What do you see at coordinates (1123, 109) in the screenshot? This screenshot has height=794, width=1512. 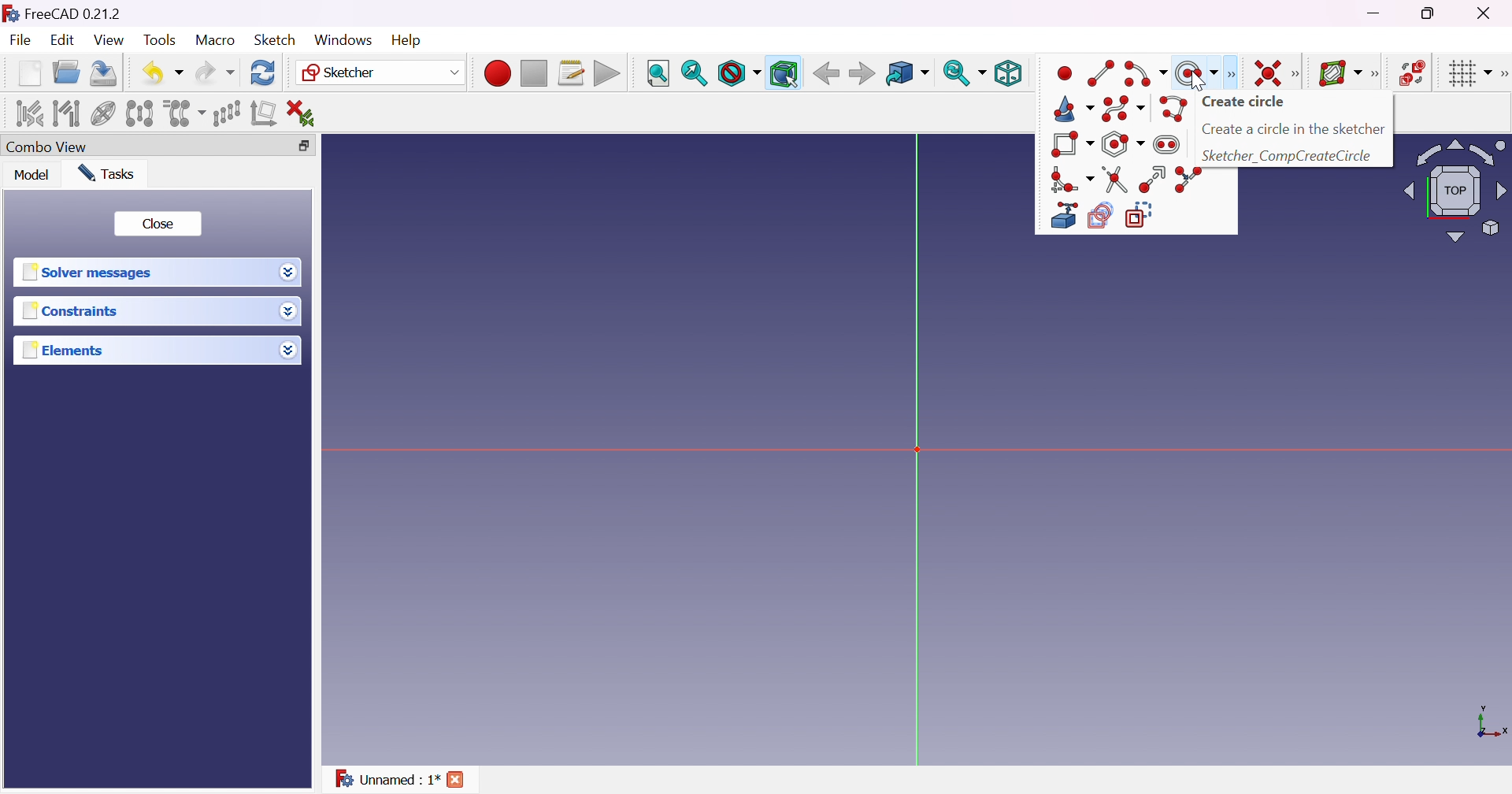 I see `Create B-spline` at bounding box center [1123, 109].